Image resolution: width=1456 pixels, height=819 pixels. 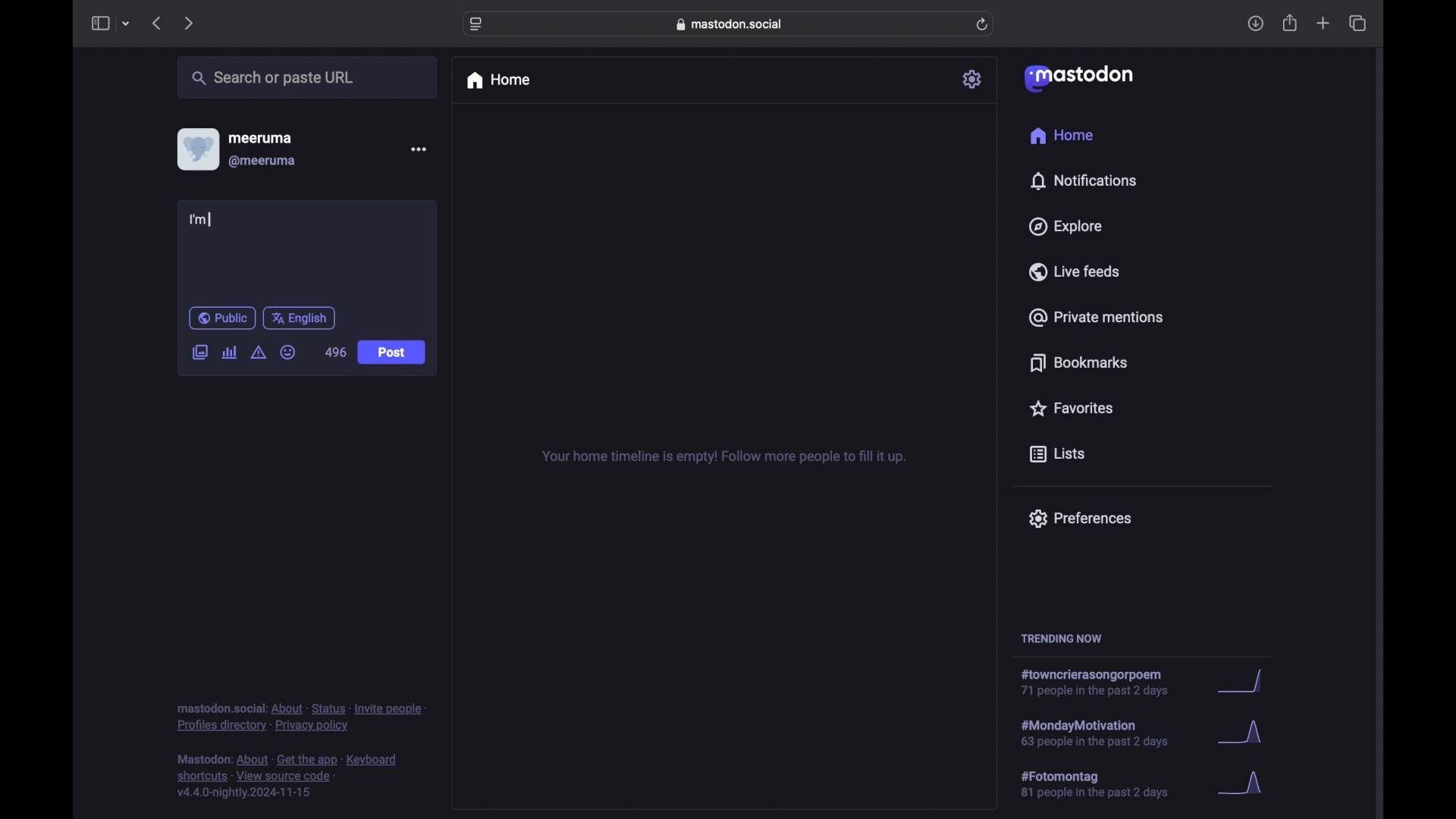 I want to click on english, so click(x=300, y=318).